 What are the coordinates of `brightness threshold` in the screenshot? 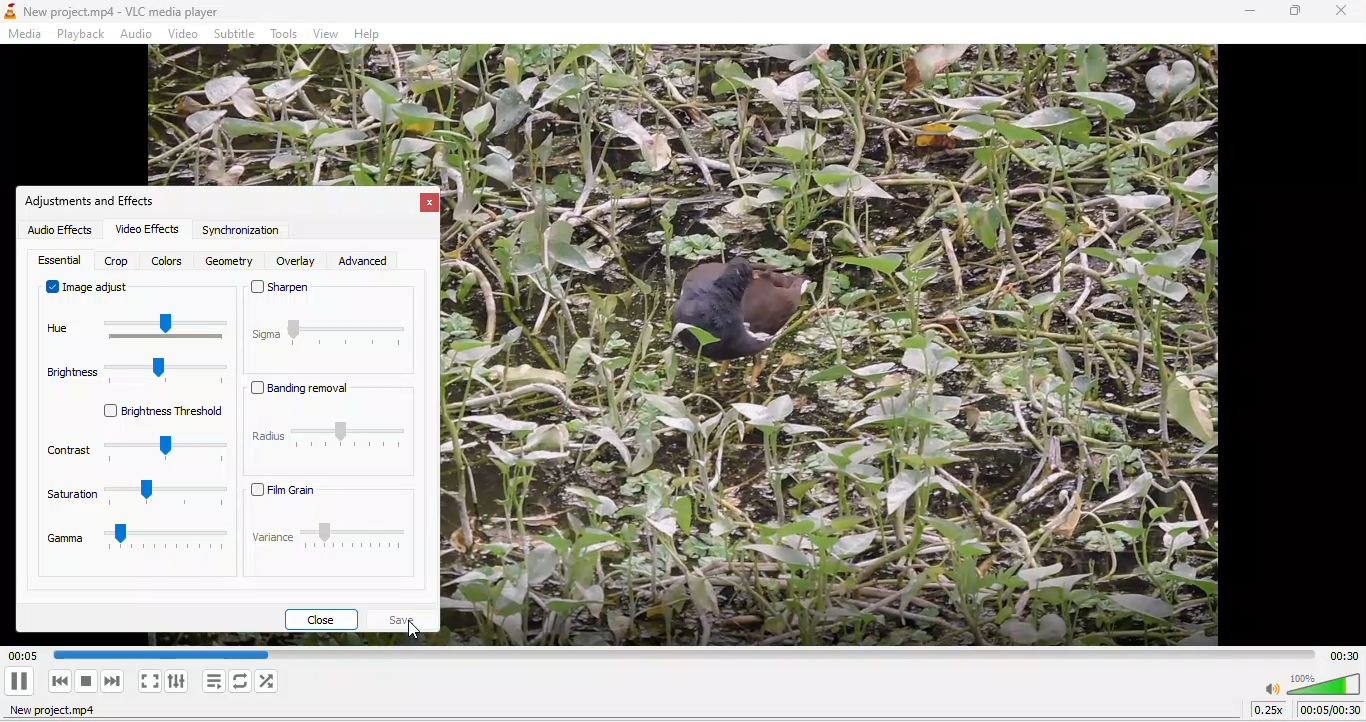 It's located at (149, 413).